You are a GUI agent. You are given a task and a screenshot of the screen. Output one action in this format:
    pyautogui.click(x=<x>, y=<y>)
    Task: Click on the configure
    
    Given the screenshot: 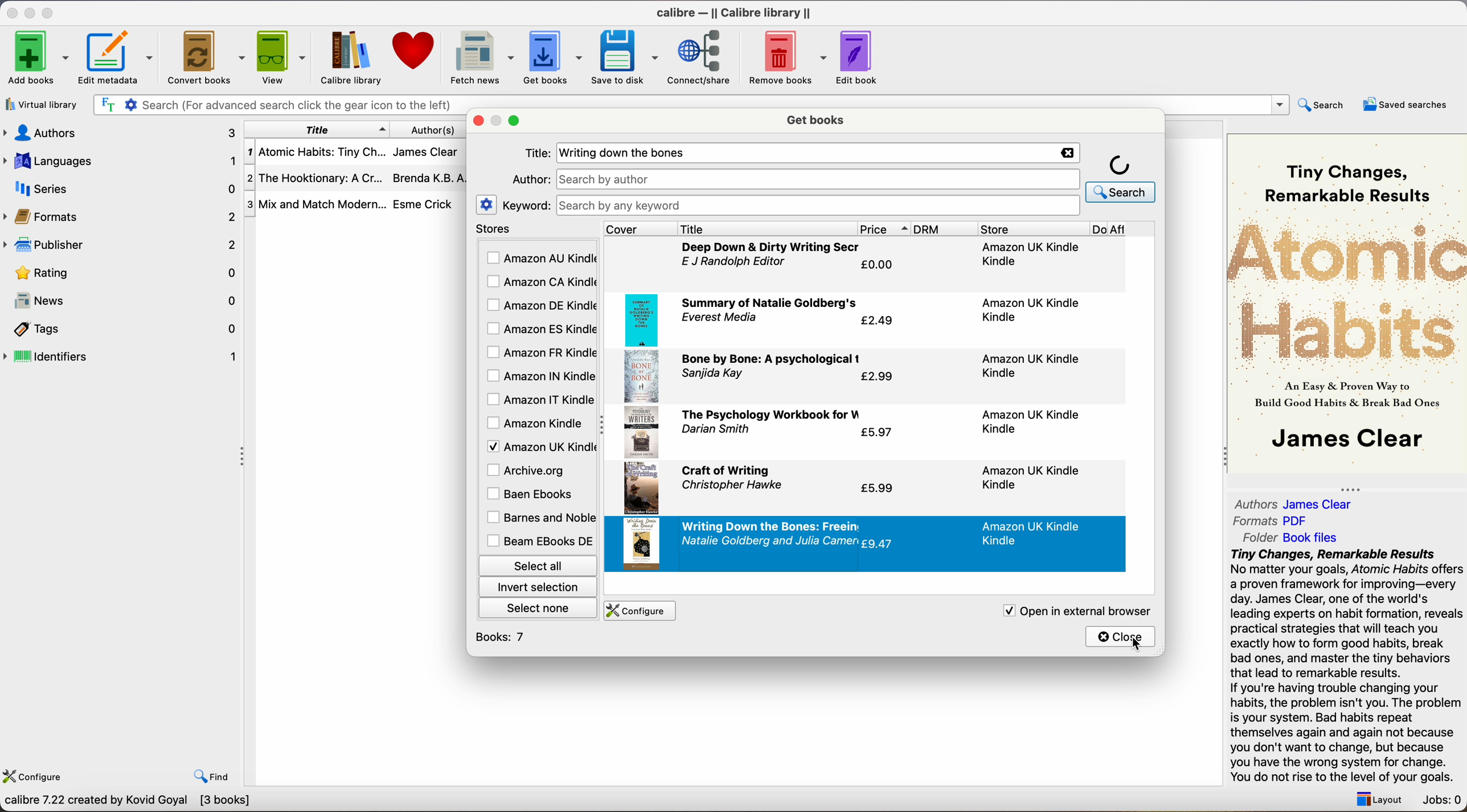 What is the action you would take?
    pyautogui.click(x=36, y=774)
    